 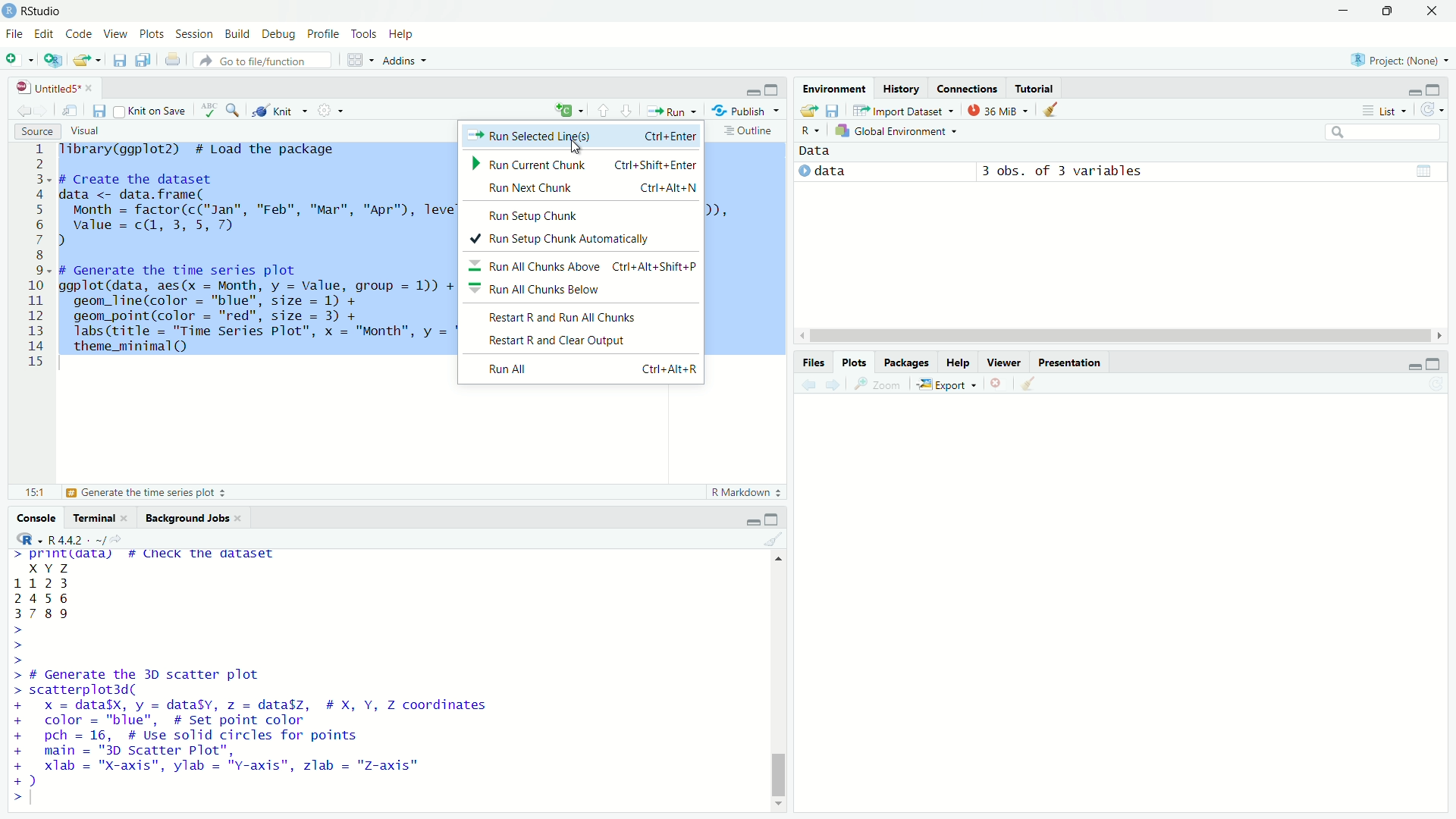 I want to click on show in new window, so click(x=73, y=108).